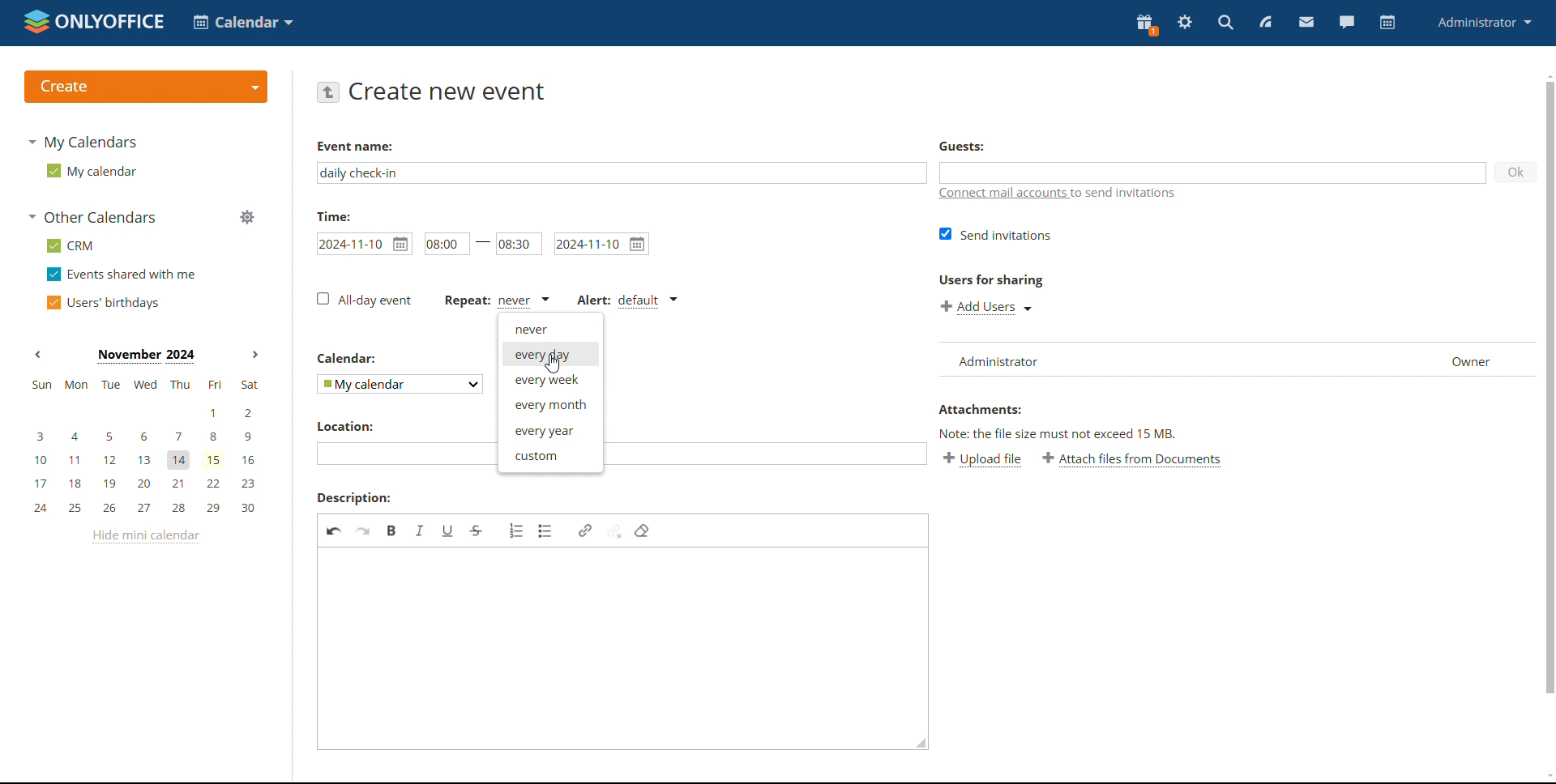 This screenshot has height=784, width=1556. What do you see at coordinates (641, 530) in the screenshot?
I see `remove format` at bounding box center [641, 530].